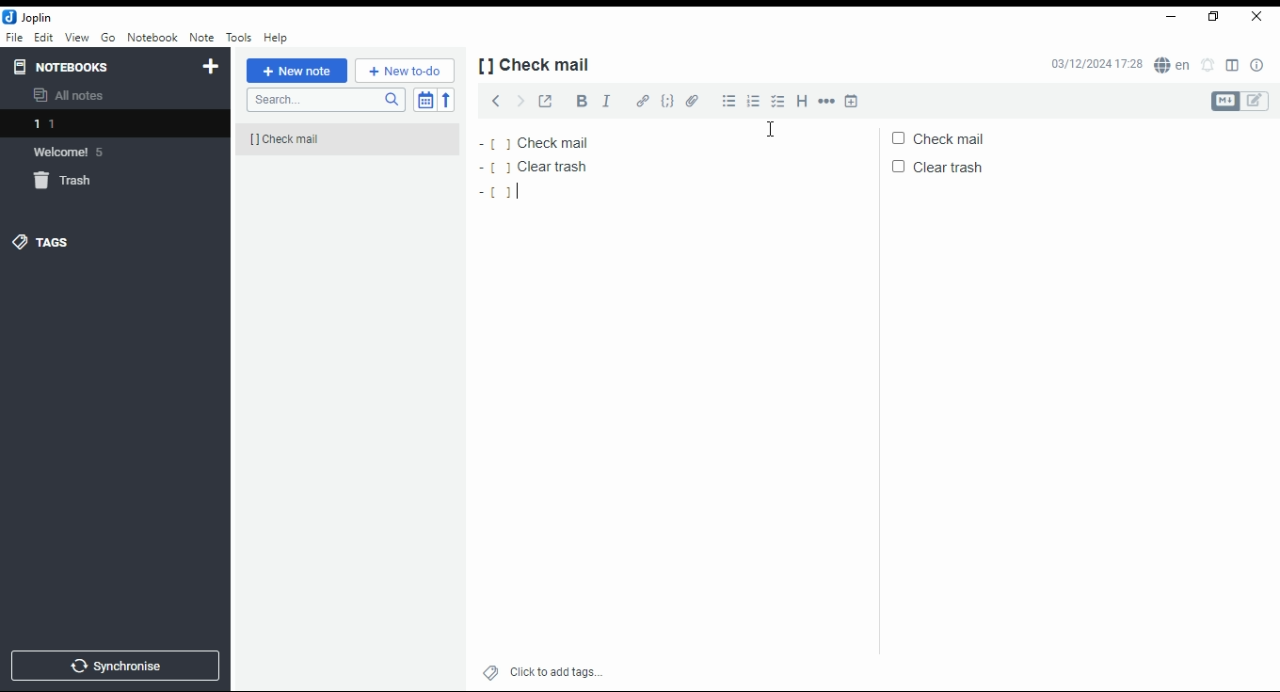 This screenshot has width=1280, height=692. I want to click on italics, so click(606, 101).